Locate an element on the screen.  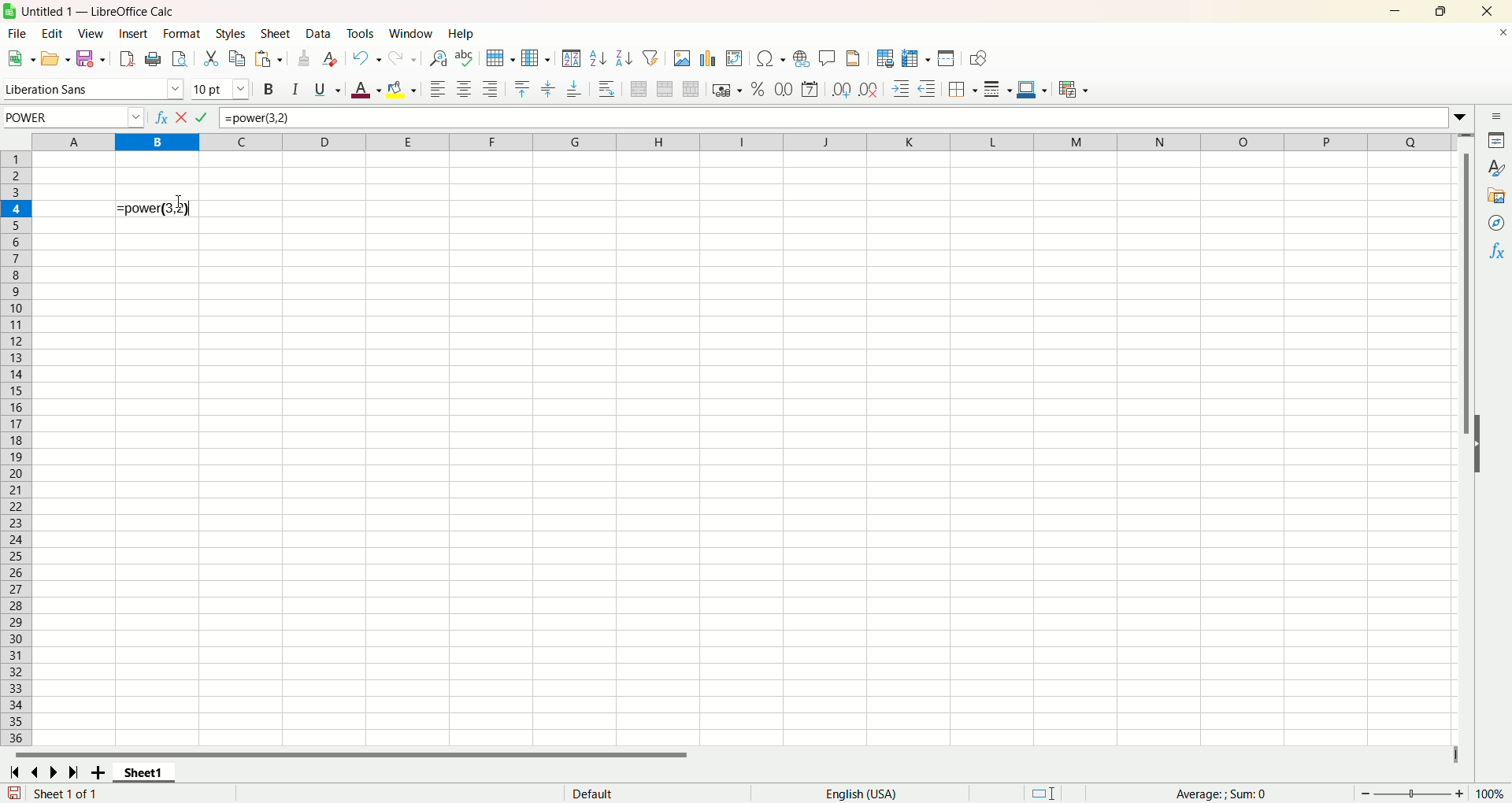
column names is located at coordinates (743, 140).